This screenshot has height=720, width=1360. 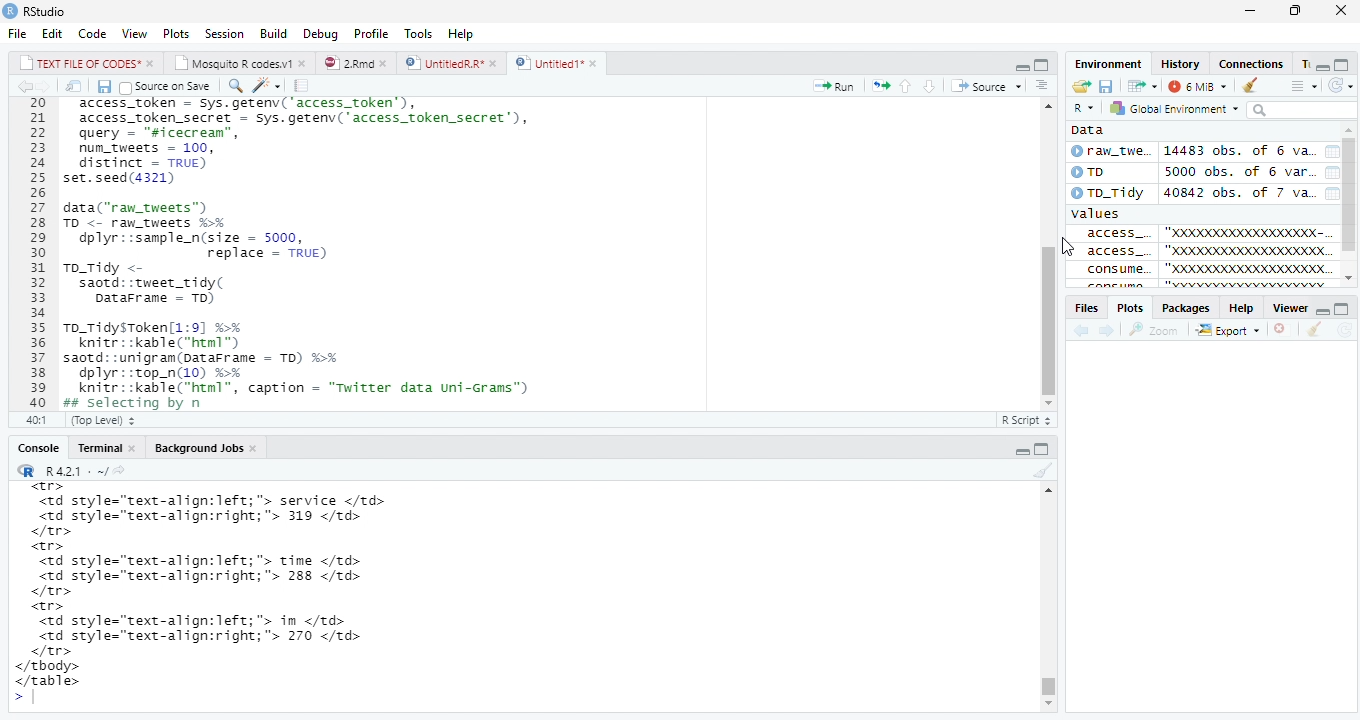 I want to click on View, so click(x=134, y=32).